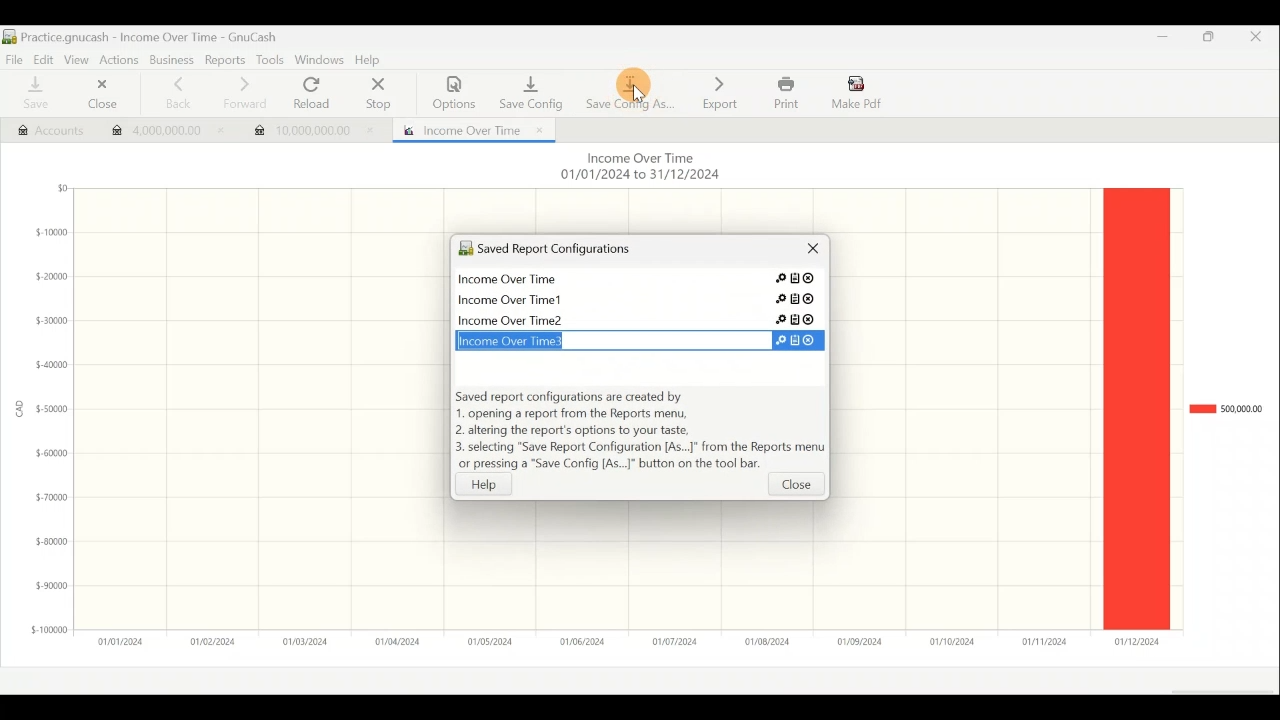  What do you see at coordinates (41, 128) in the screenshot?
I see `Accounts` at bounding box center [41, 128].